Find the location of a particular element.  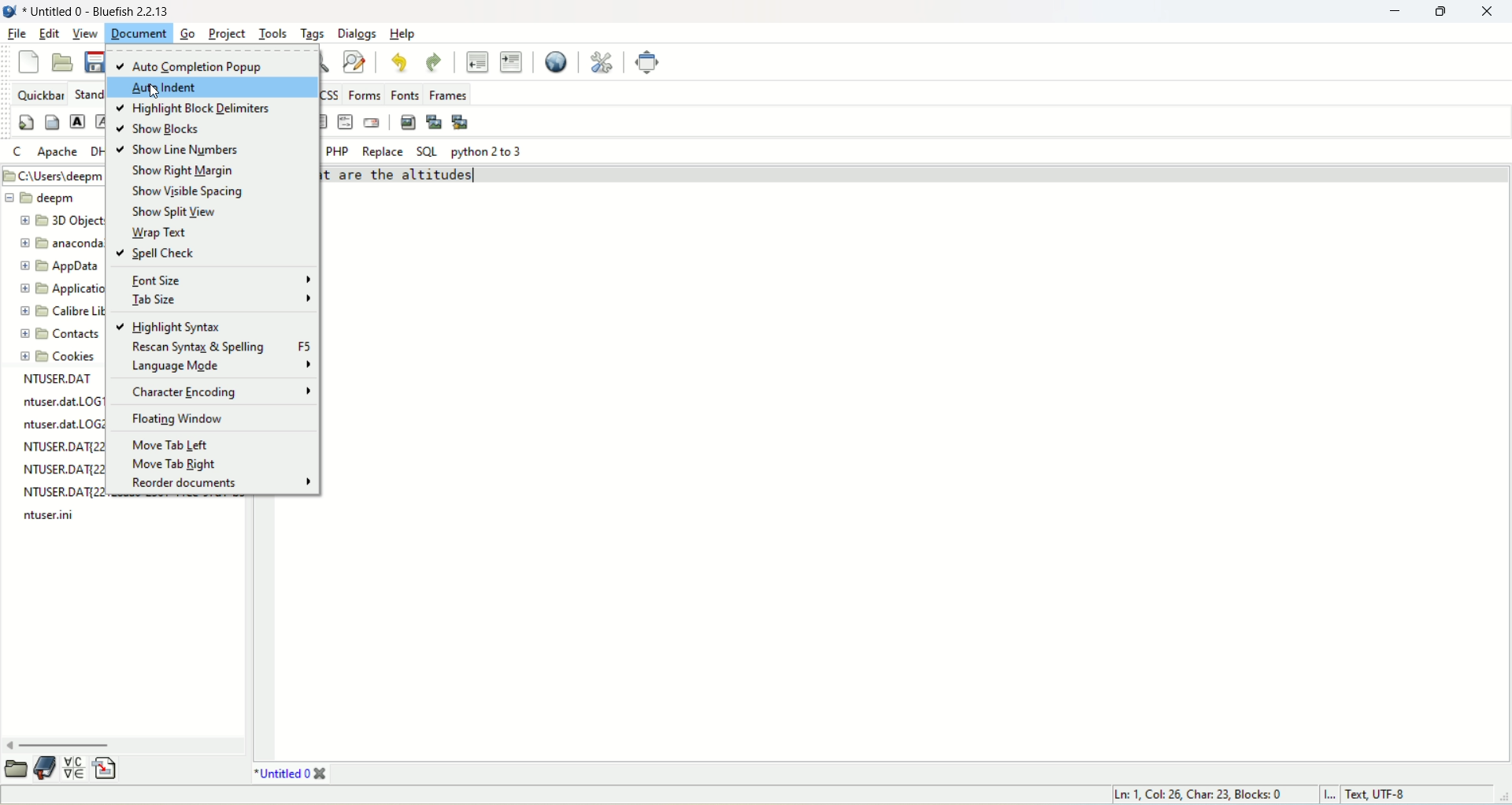

show split view is located at coordinates (178, 211).